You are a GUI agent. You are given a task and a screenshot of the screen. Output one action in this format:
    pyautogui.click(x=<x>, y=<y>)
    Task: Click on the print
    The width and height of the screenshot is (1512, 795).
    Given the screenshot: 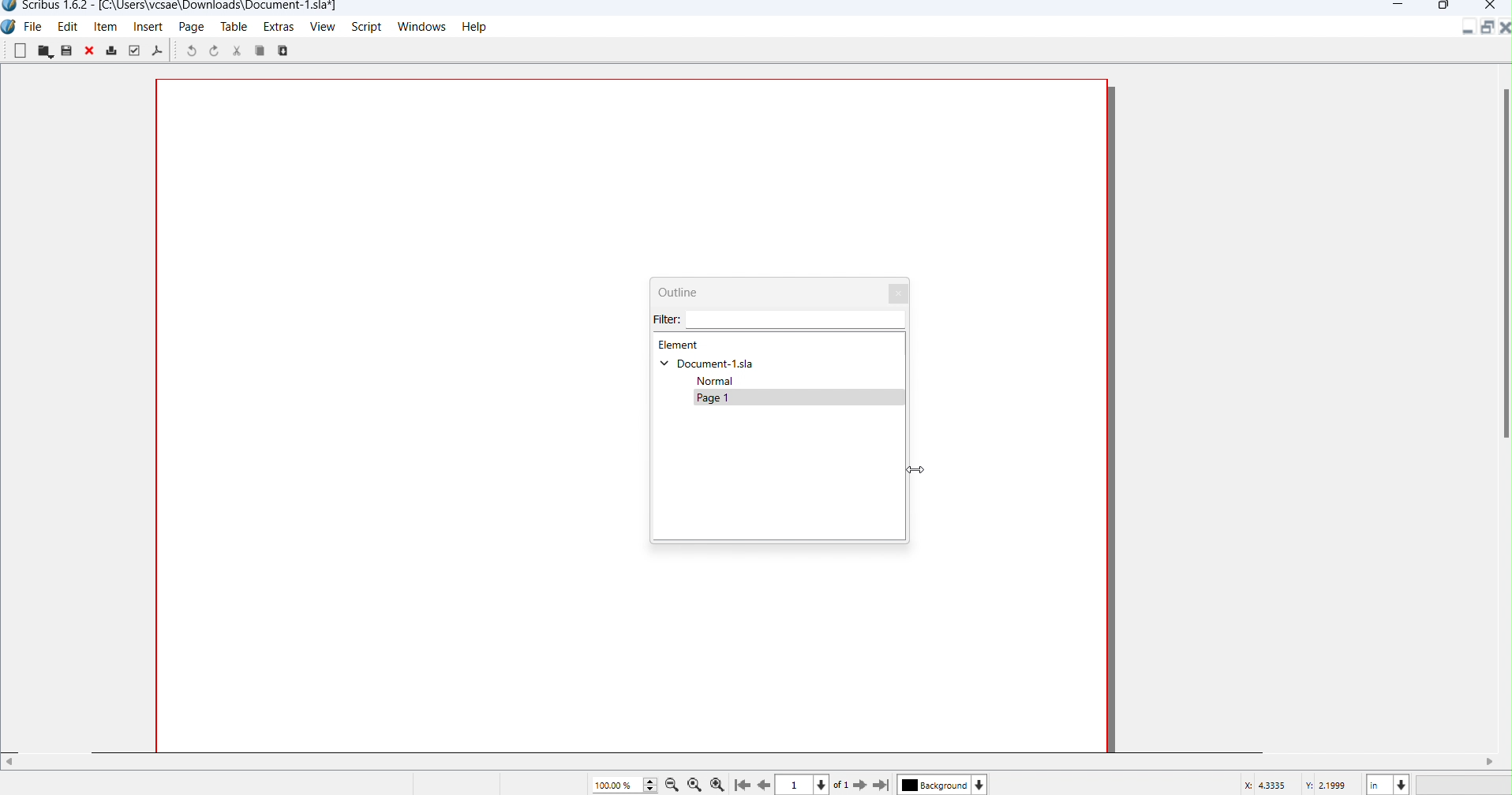 What is the action you would take?
    pyautogui.click(x=112, y=50)
    